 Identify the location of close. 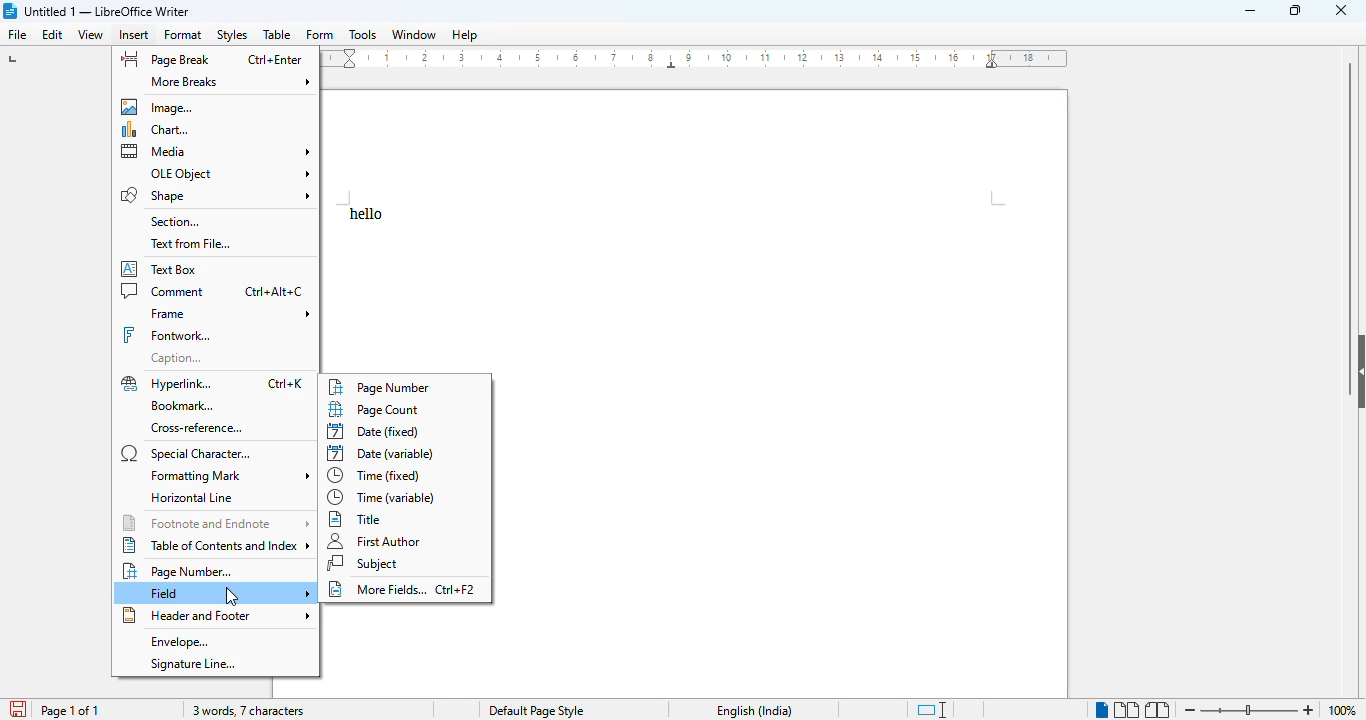
(1340, 11).